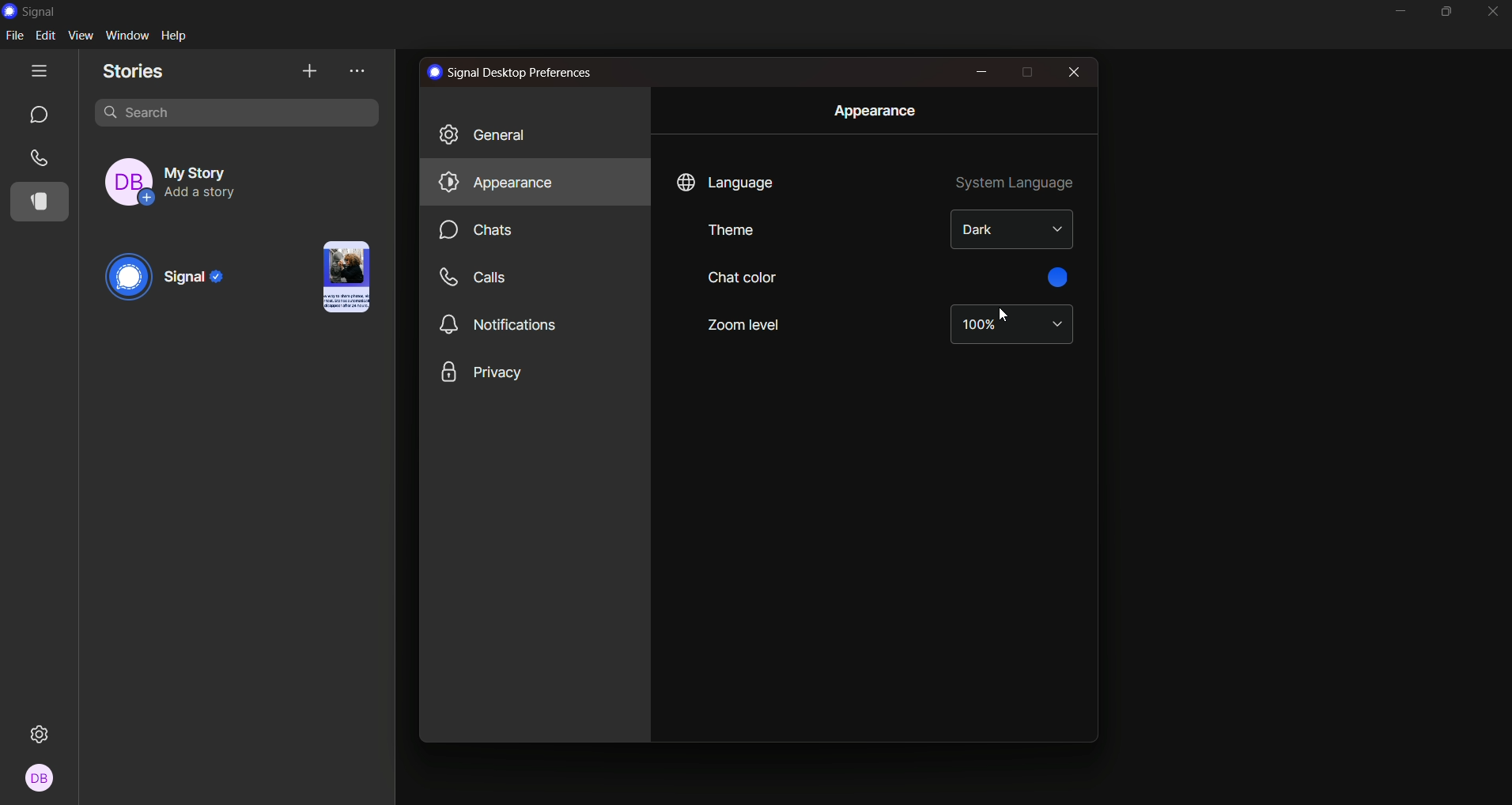 The image size is (1512, 805). What do you see at coordinates (730, 230) in the screenshot?
I see `theme` at bounding box center [730, 230].